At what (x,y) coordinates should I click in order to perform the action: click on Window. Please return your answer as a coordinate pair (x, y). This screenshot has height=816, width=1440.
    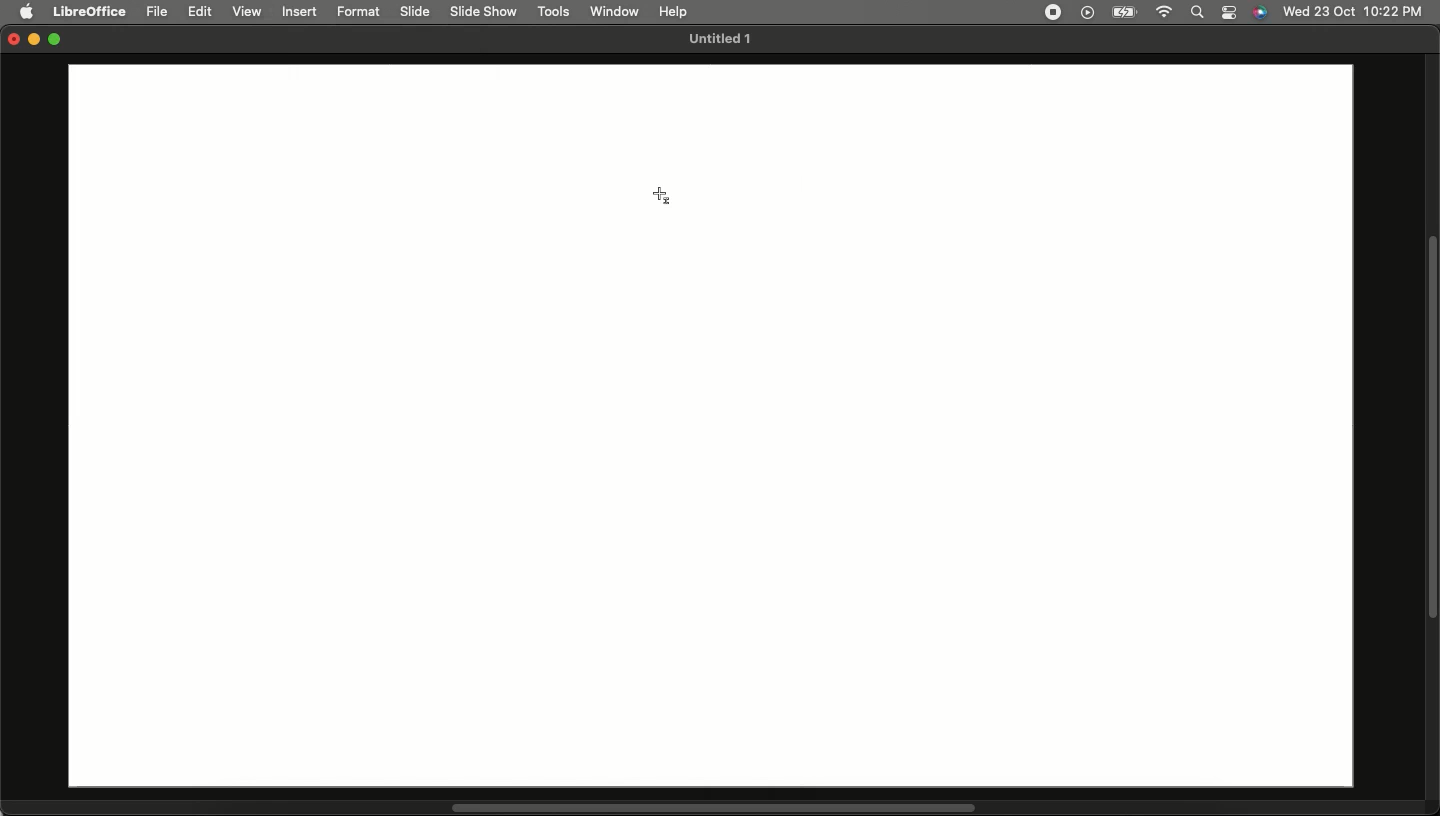
    Looking at the image, I should click on (616, 11).